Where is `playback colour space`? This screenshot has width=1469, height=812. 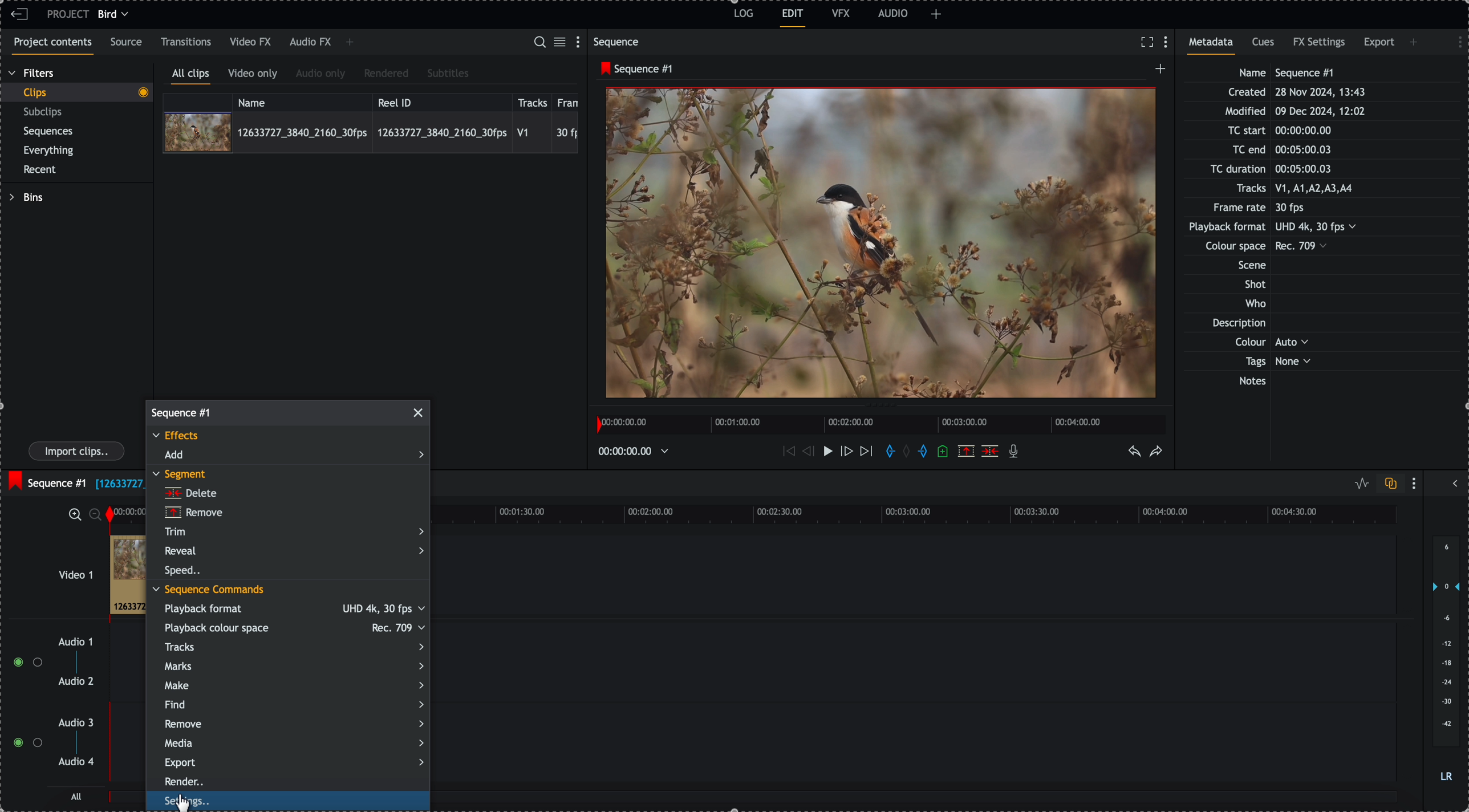 playback colour space is located at coordinates (293, 628).